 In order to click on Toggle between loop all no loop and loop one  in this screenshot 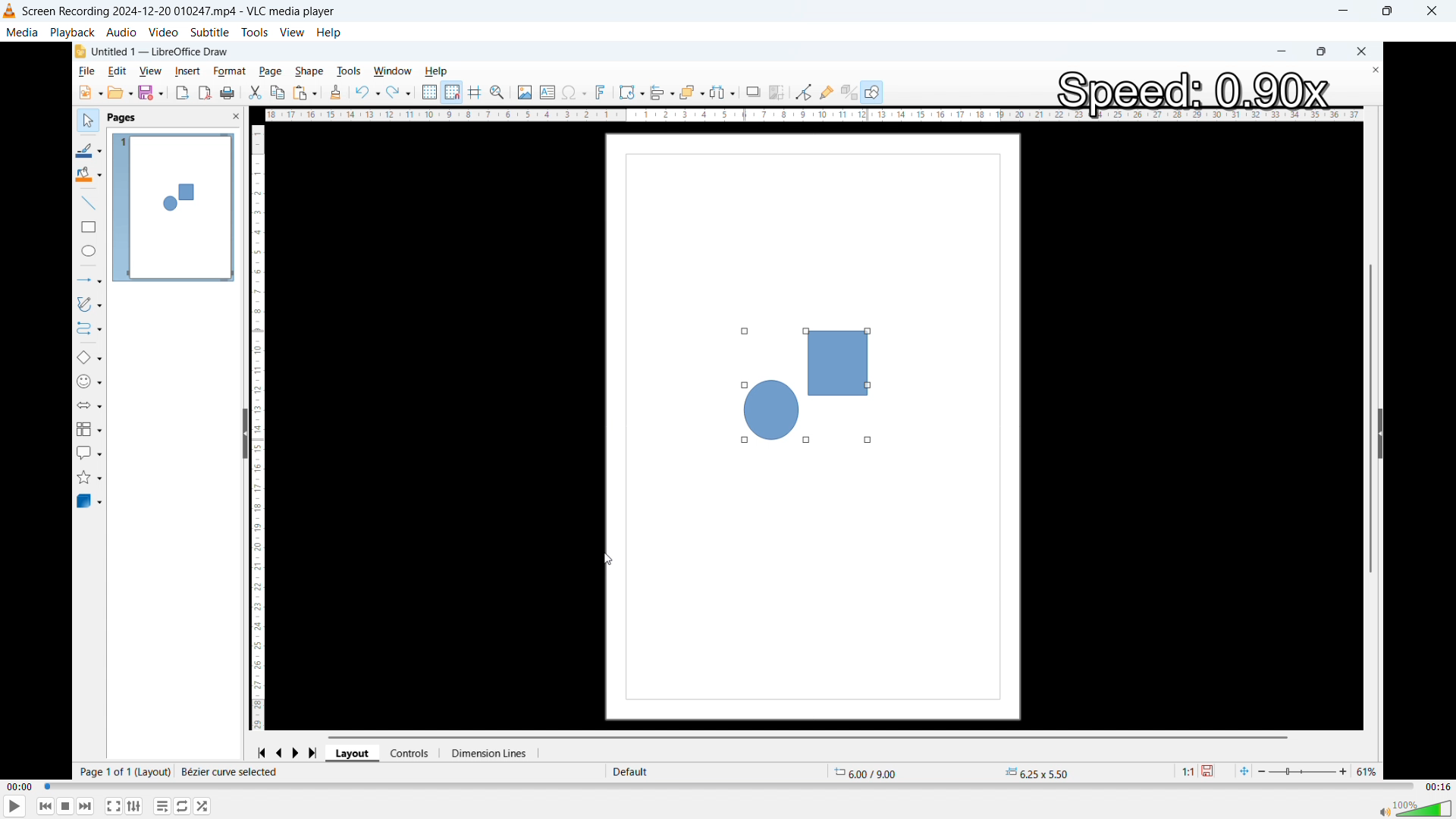, I will do `click(183, 805)`.